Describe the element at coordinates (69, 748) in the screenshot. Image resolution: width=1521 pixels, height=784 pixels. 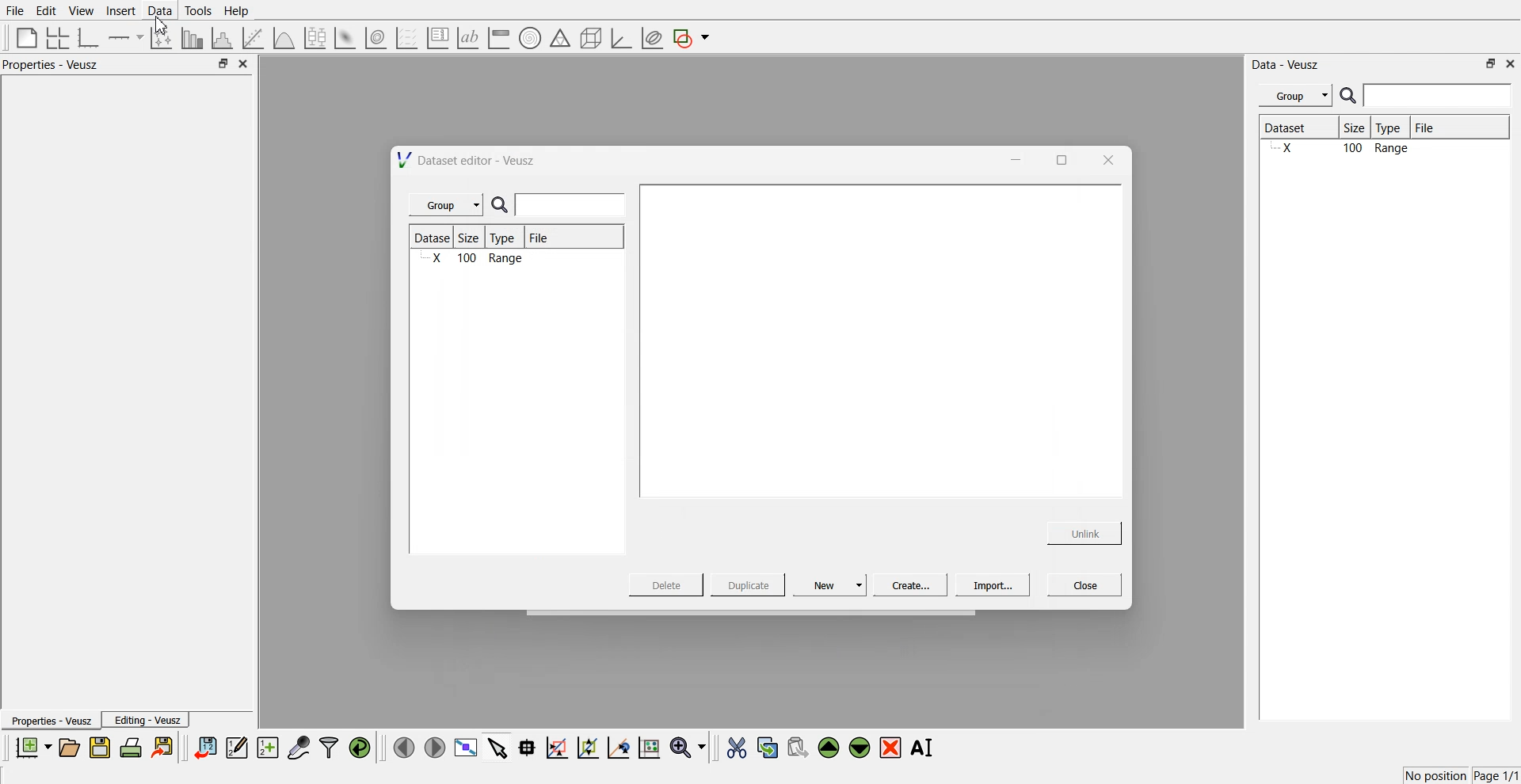
I see `open` at that location.